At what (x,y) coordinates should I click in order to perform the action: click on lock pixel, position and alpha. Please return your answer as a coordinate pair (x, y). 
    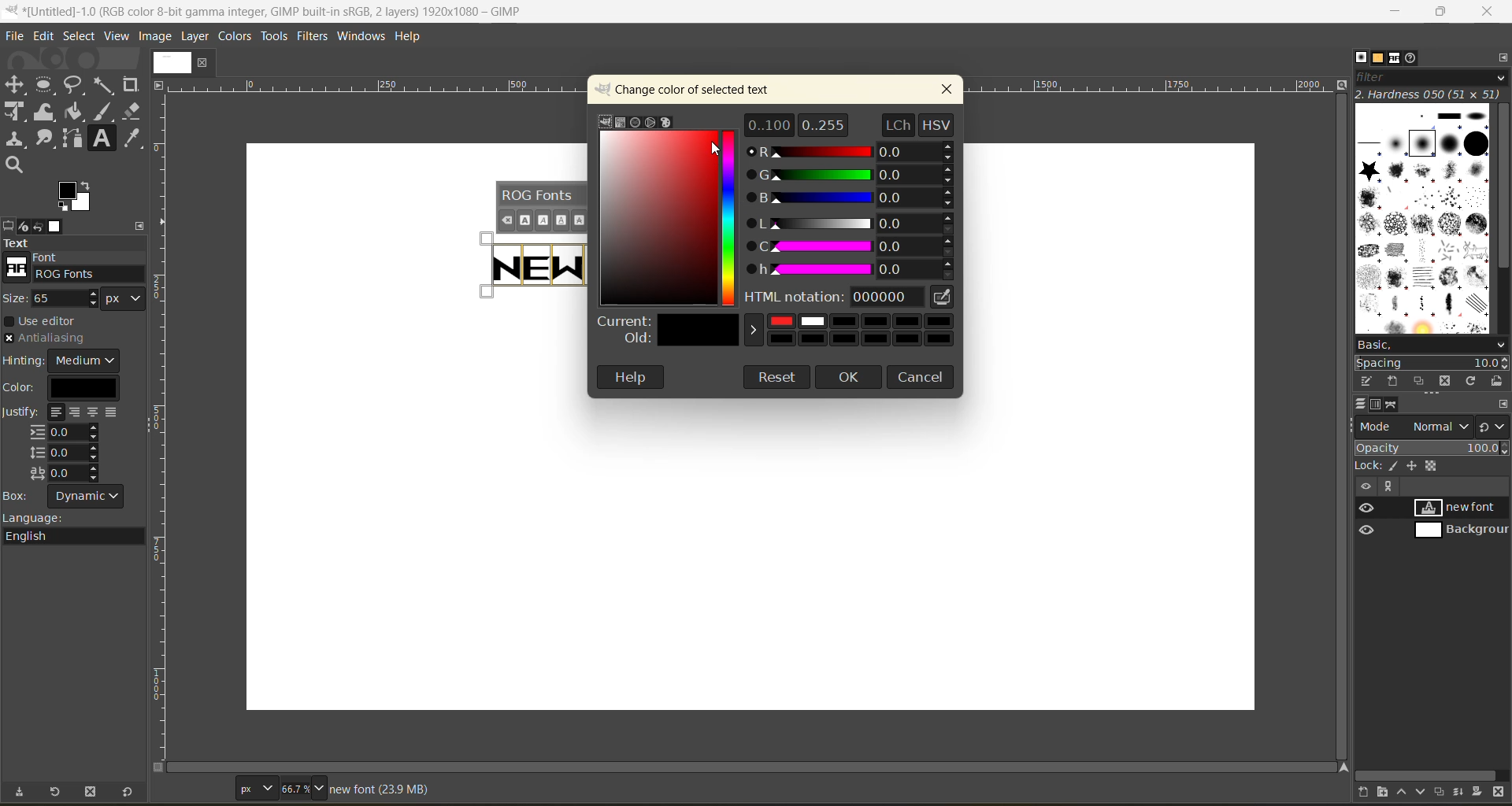
    Looking at the image, I should click on (1431, 467).